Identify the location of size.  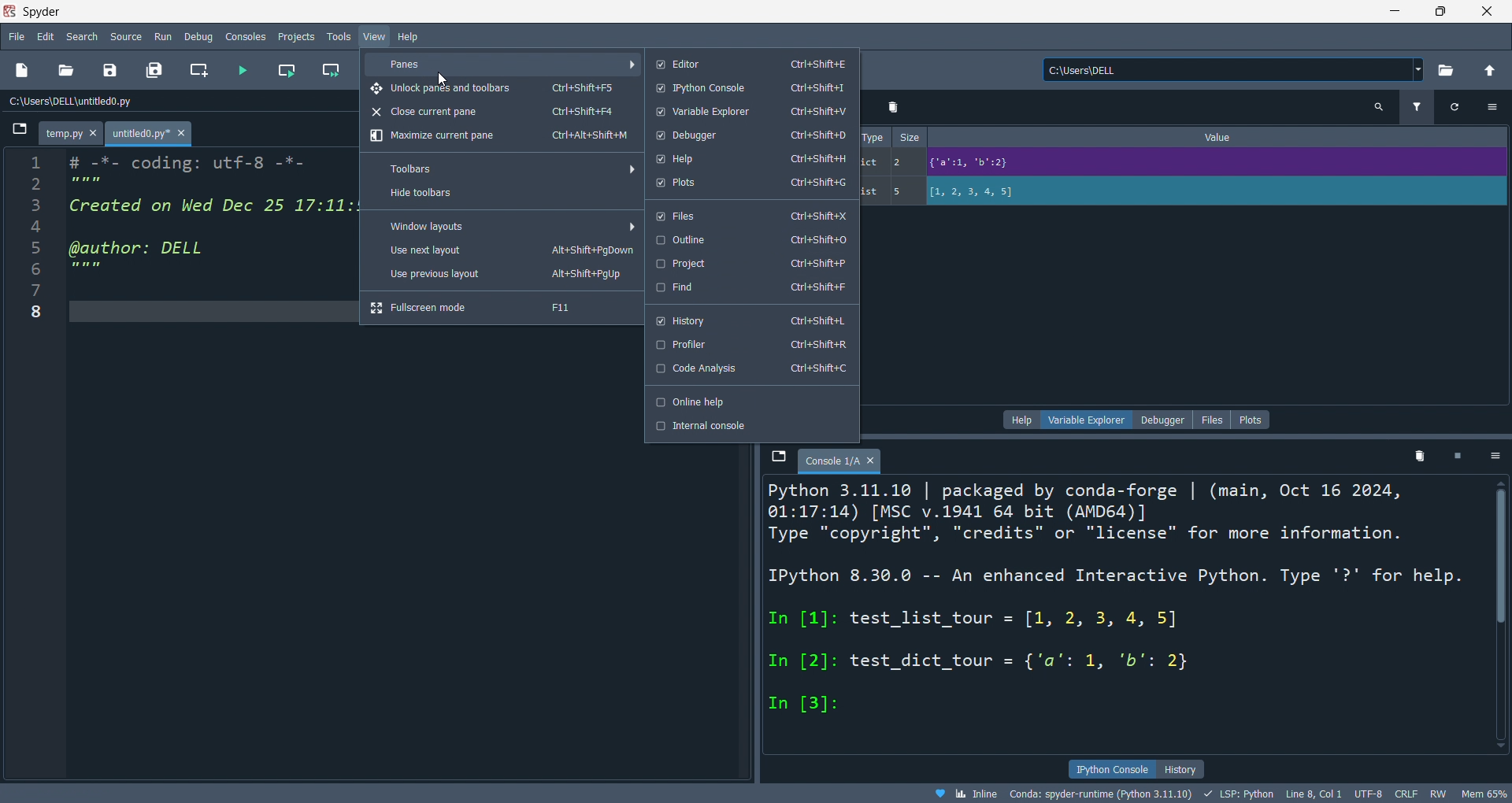
(909, 165).